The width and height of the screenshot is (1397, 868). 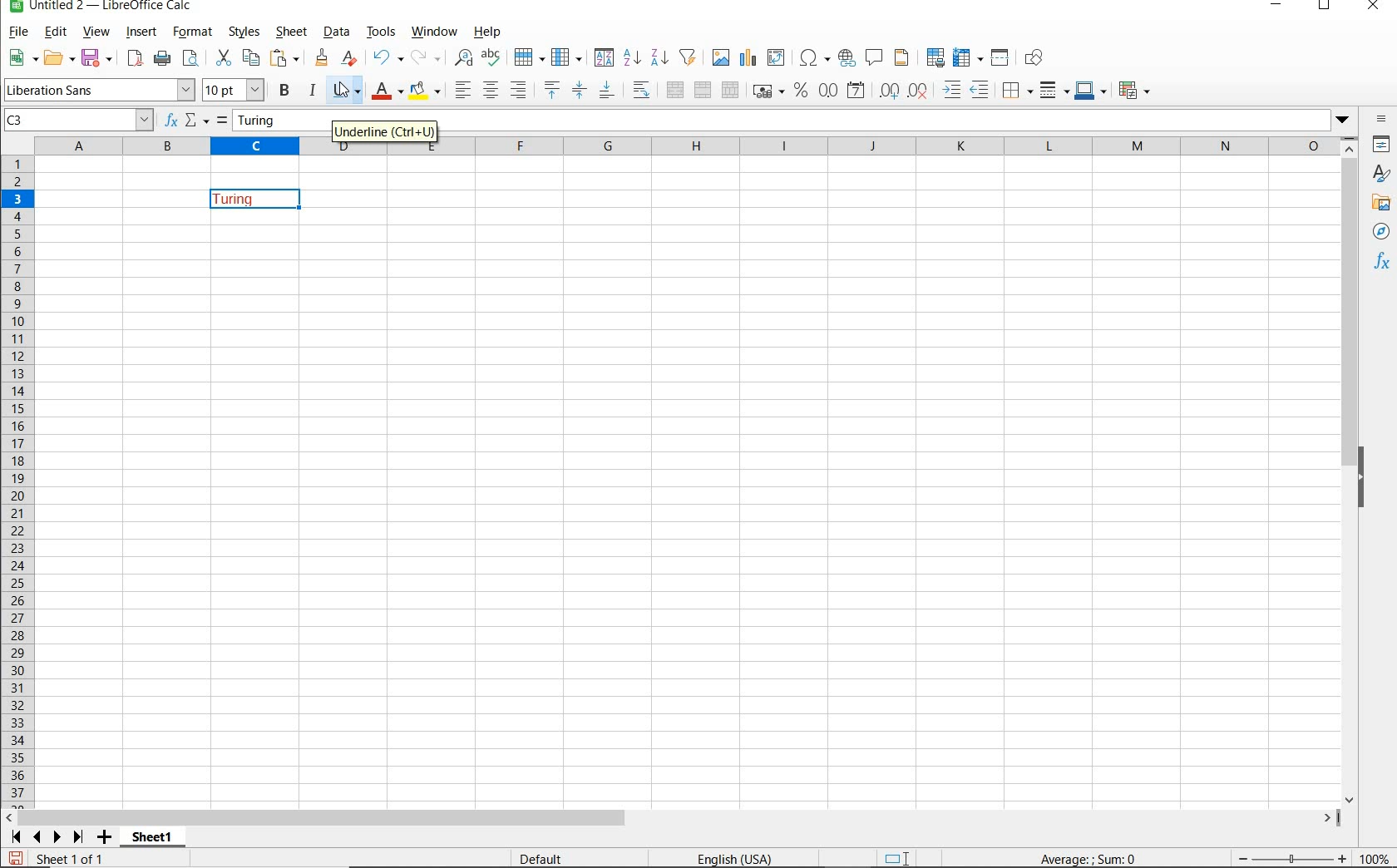 What do you see at coordinates (1383, 204) in the screenshot?
I see `GALLERY` at bounding box center [1383, 204].